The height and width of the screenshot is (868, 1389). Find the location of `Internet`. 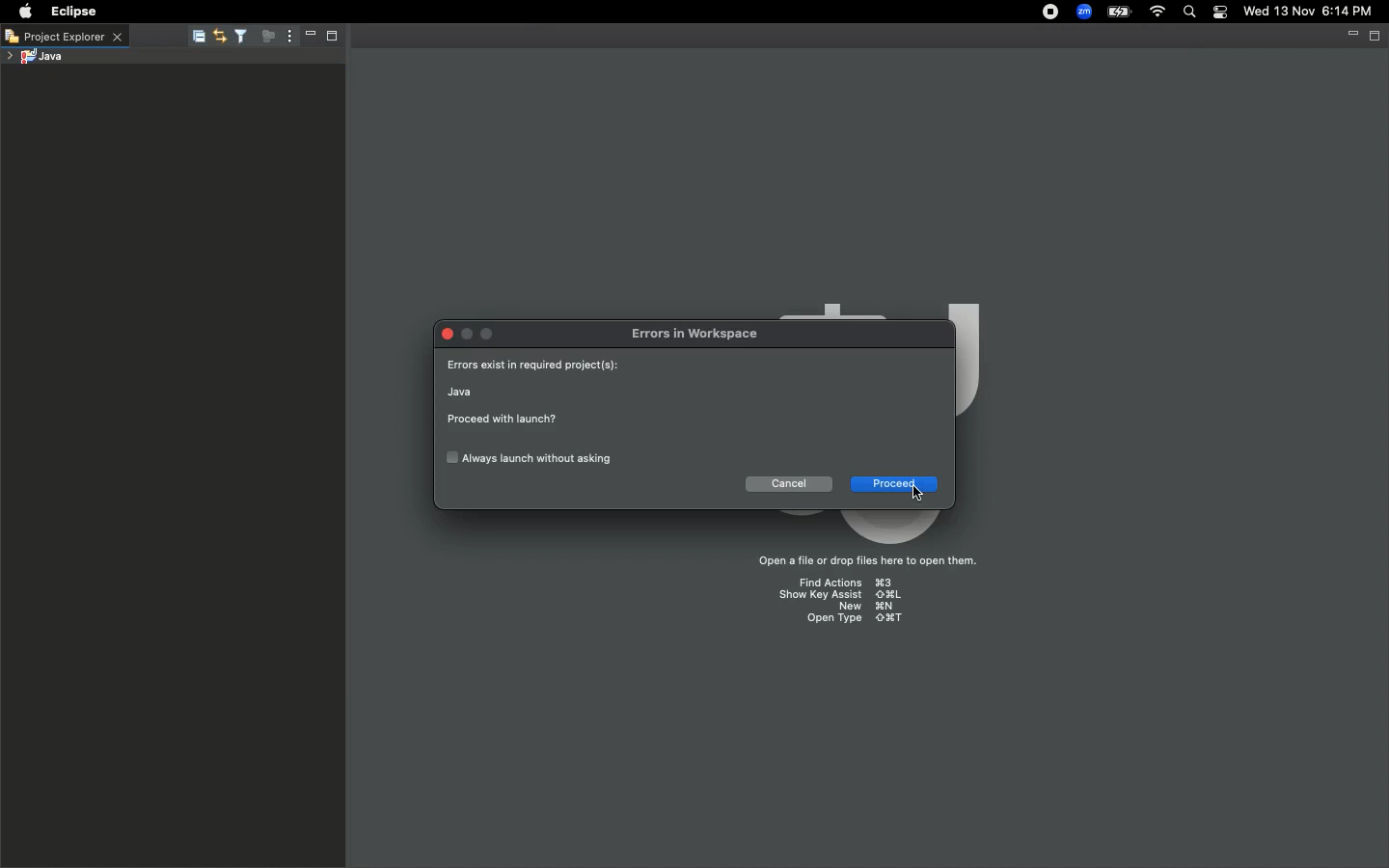

Internet is located at coordinates (1156, 14).